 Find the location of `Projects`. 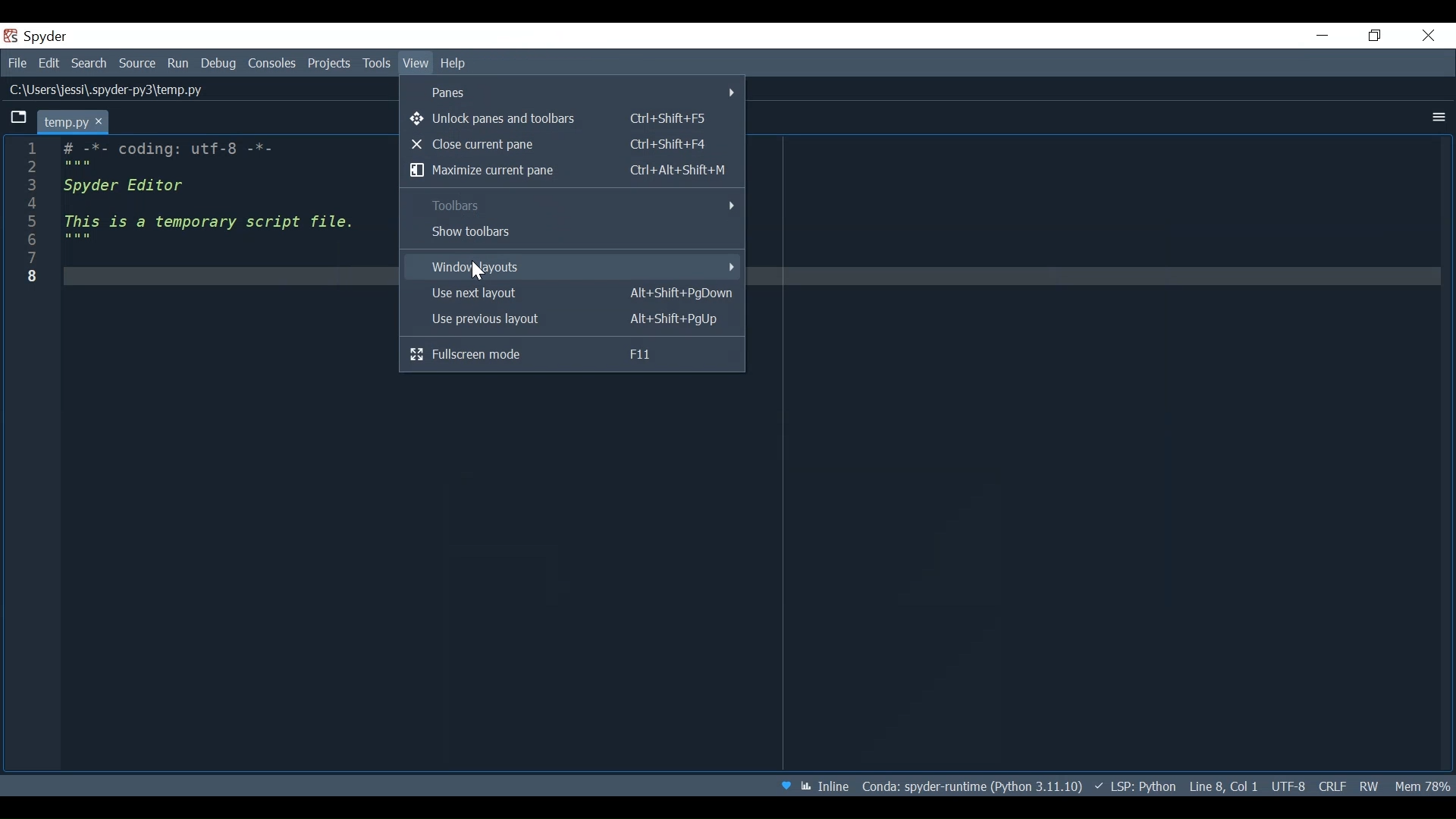

Projects is located at coordinates (330, 64).